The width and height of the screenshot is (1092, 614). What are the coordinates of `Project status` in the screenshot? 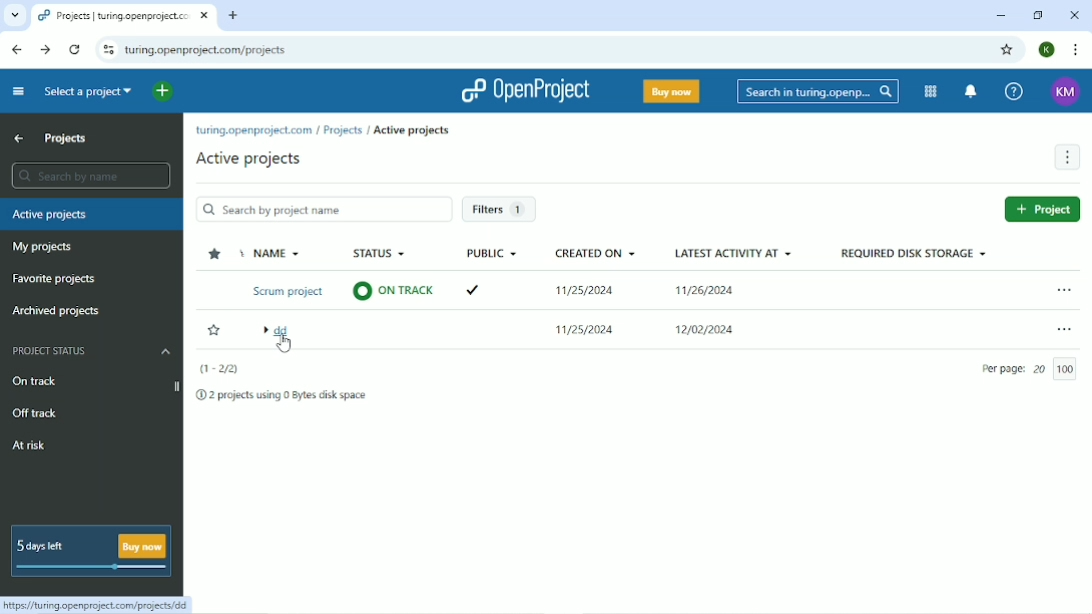 It's located at (90, 351).